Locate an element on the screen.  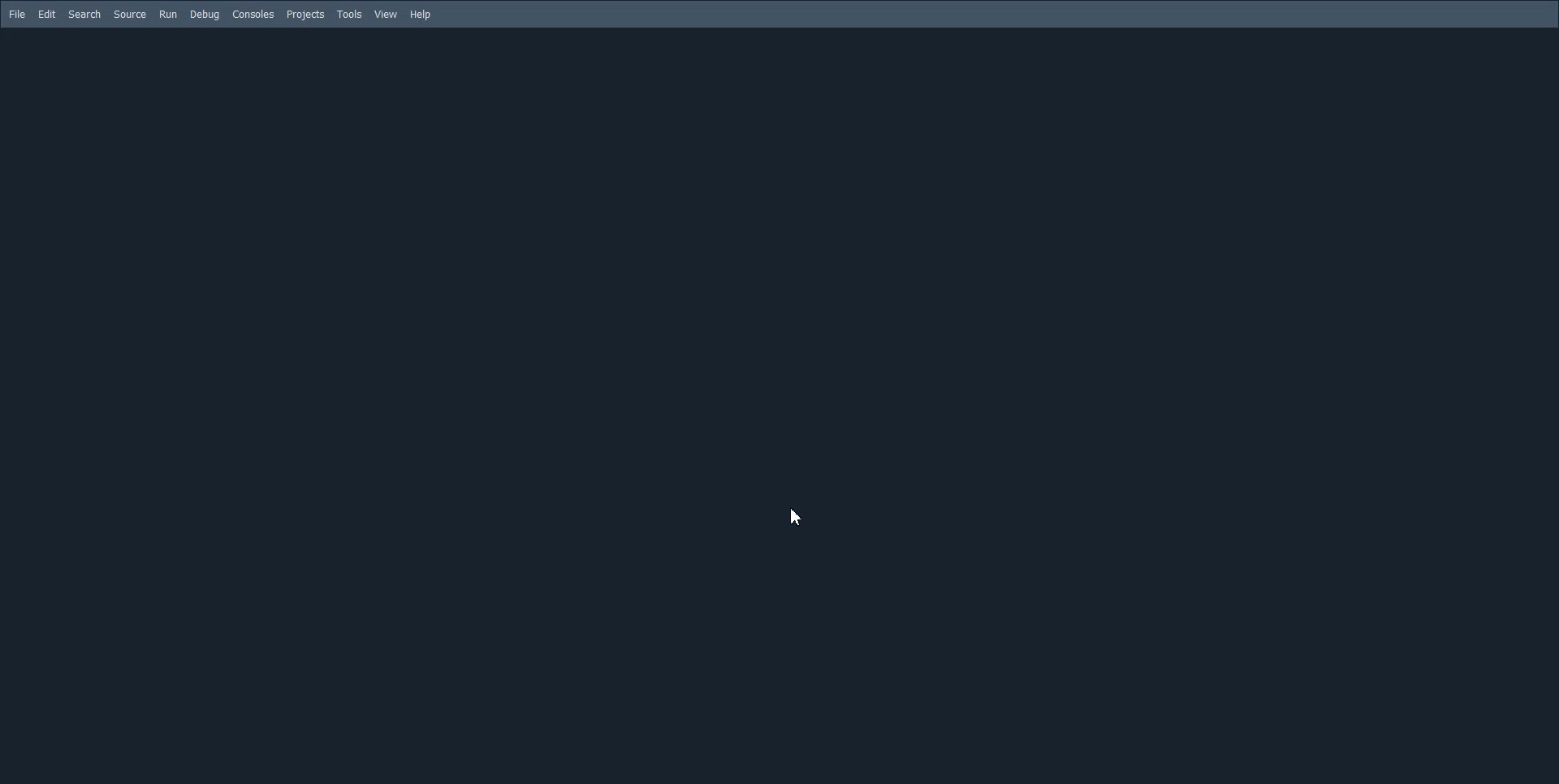
Help is located at coordinates (421, 15).